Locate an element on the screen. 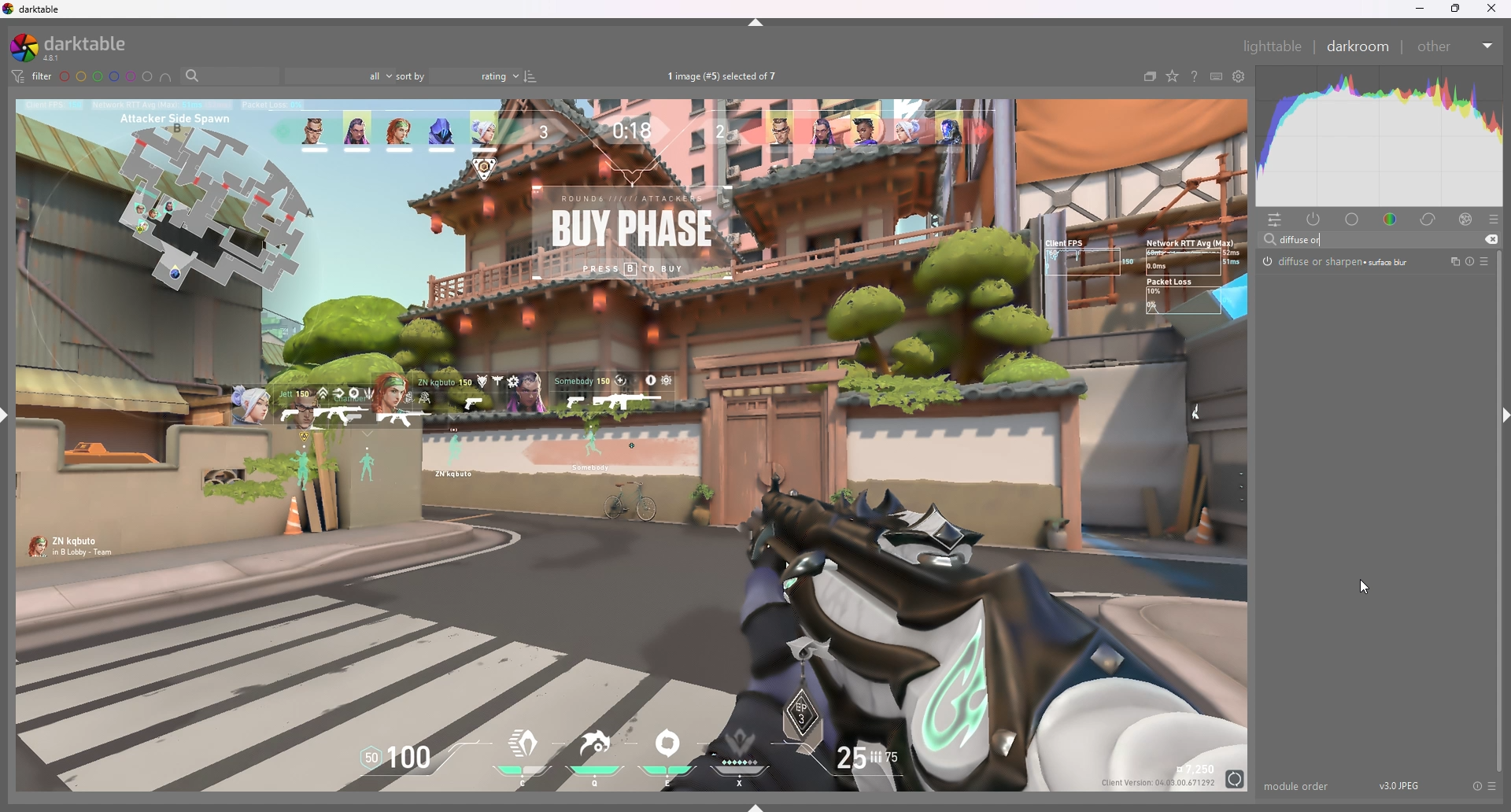 This screenshot has height=812, width=1511. cursor is located at coordinates (1363, 584).